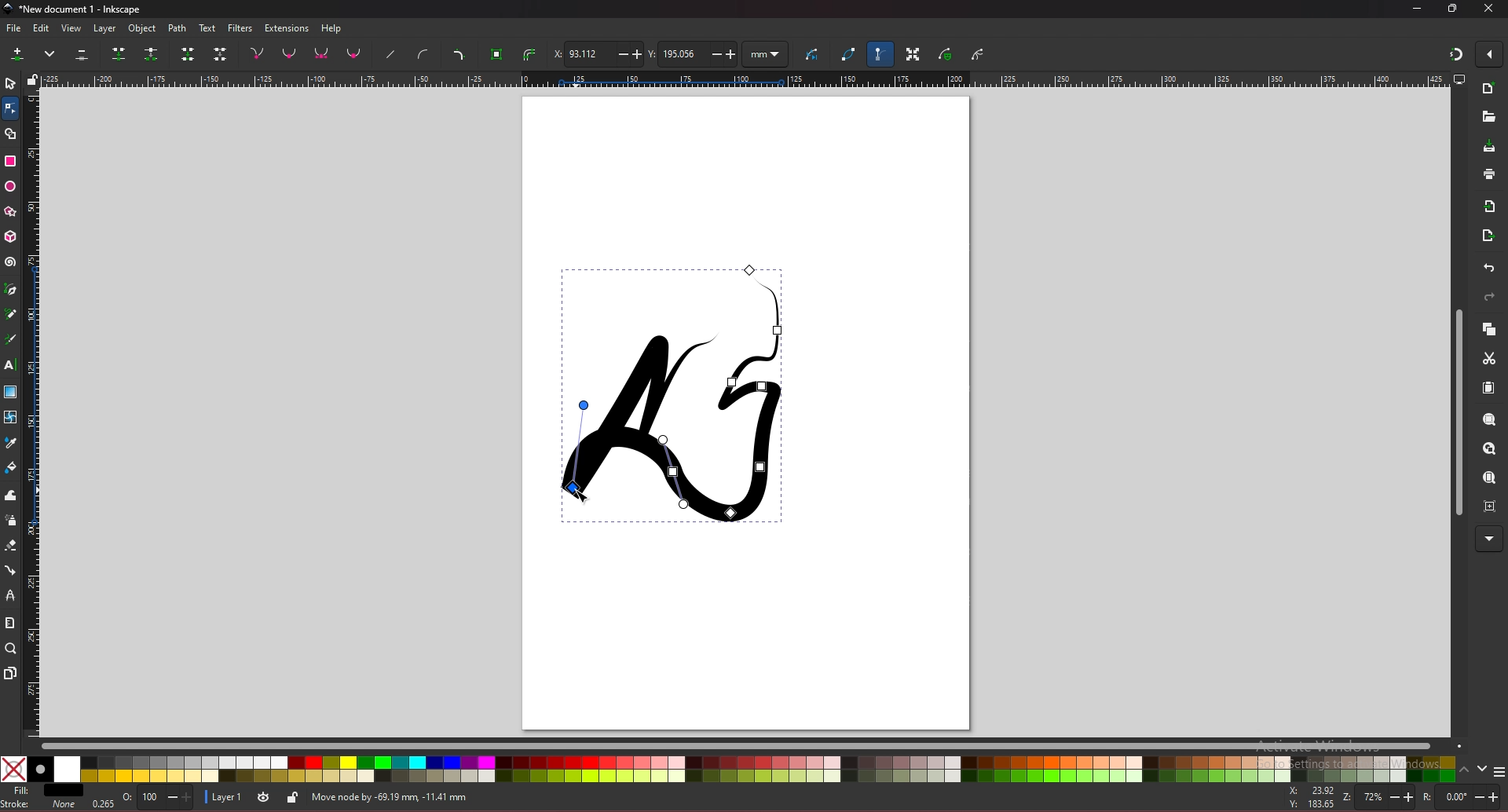 This screenshot has height=812, width=1508. Describe the element at coordinates (1453, 9) in the screenshot. I see `resize` at that location.